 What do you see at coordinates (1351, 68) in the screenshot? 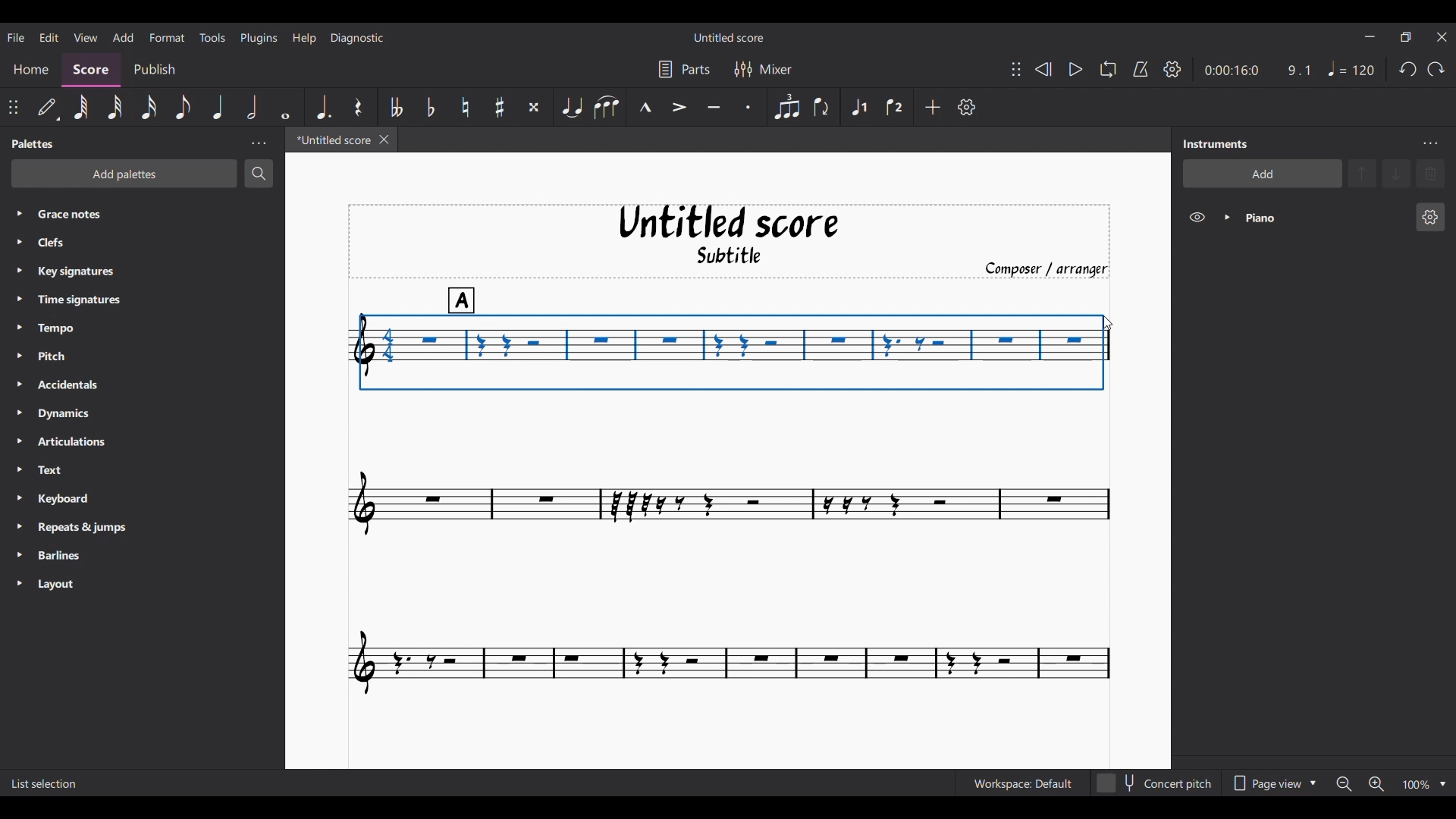
I see `Quarter note` at bounding box center [1351, 68].